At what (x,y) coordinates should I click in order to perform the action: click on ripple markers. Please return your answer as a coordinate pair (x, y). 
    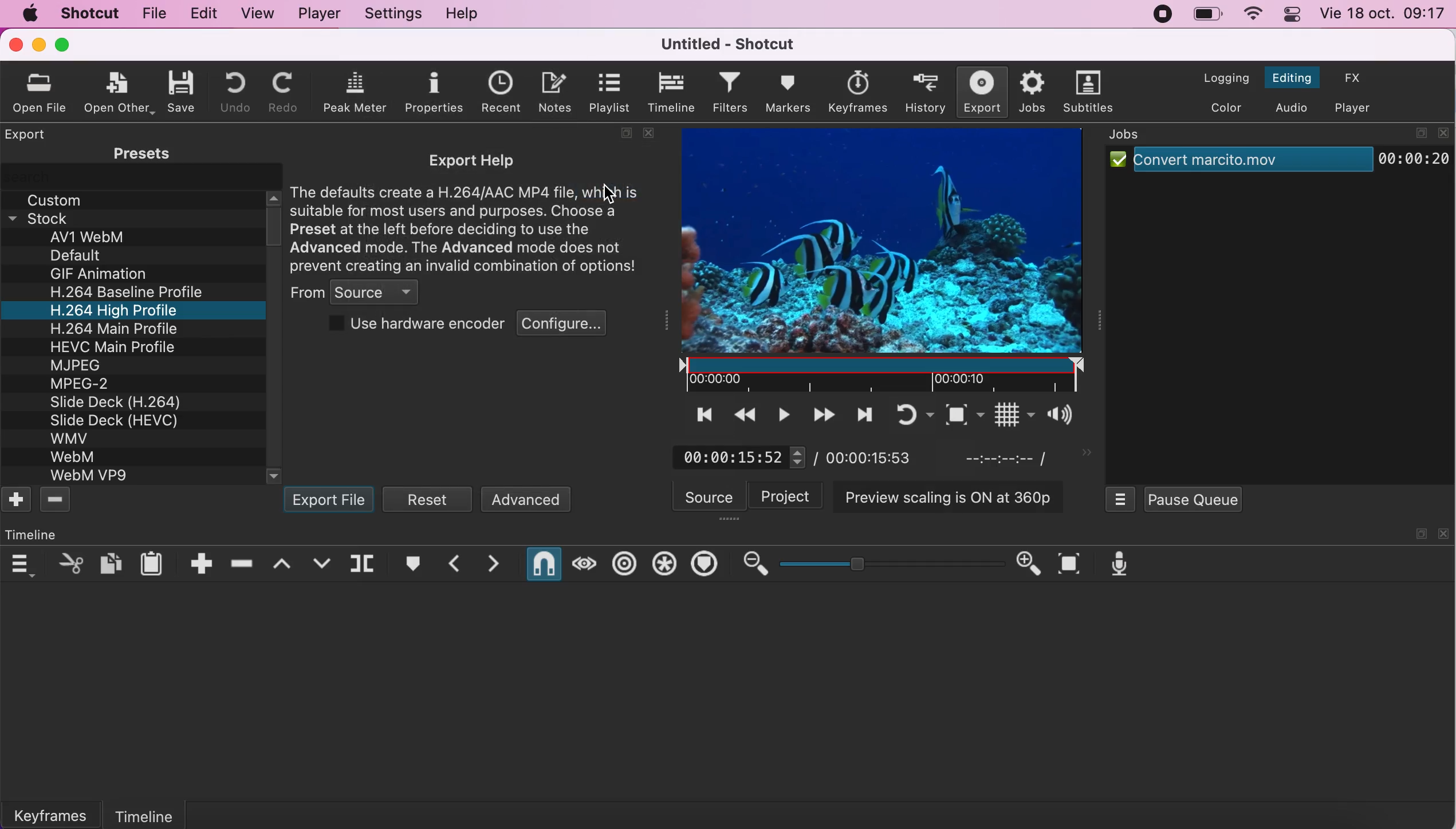
    Looking at the image, I should click on (705, 564).